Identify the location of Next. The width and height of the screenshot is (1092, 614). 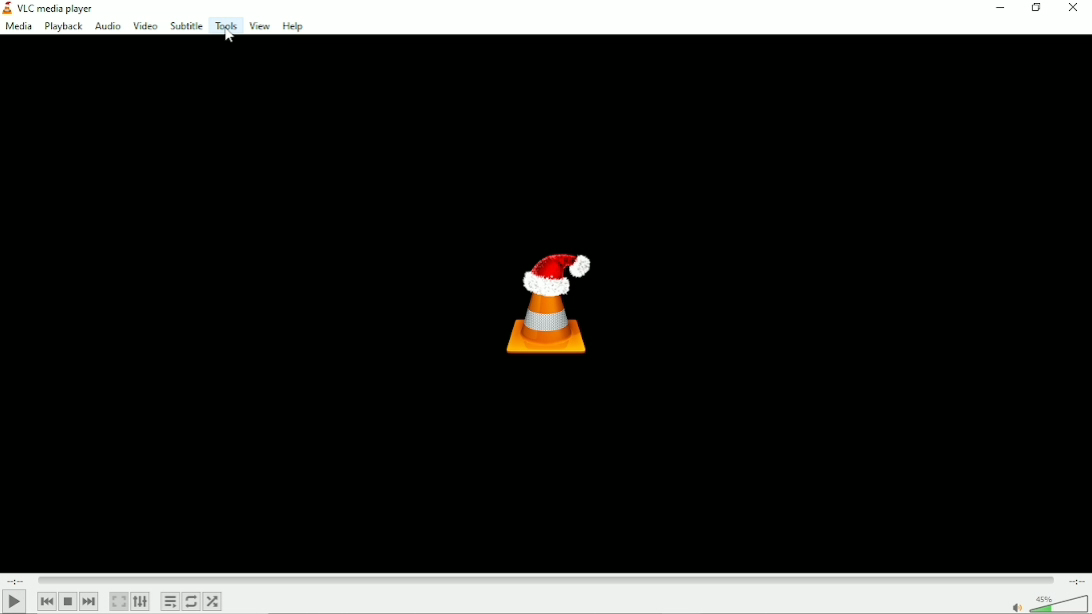
(90, 602).